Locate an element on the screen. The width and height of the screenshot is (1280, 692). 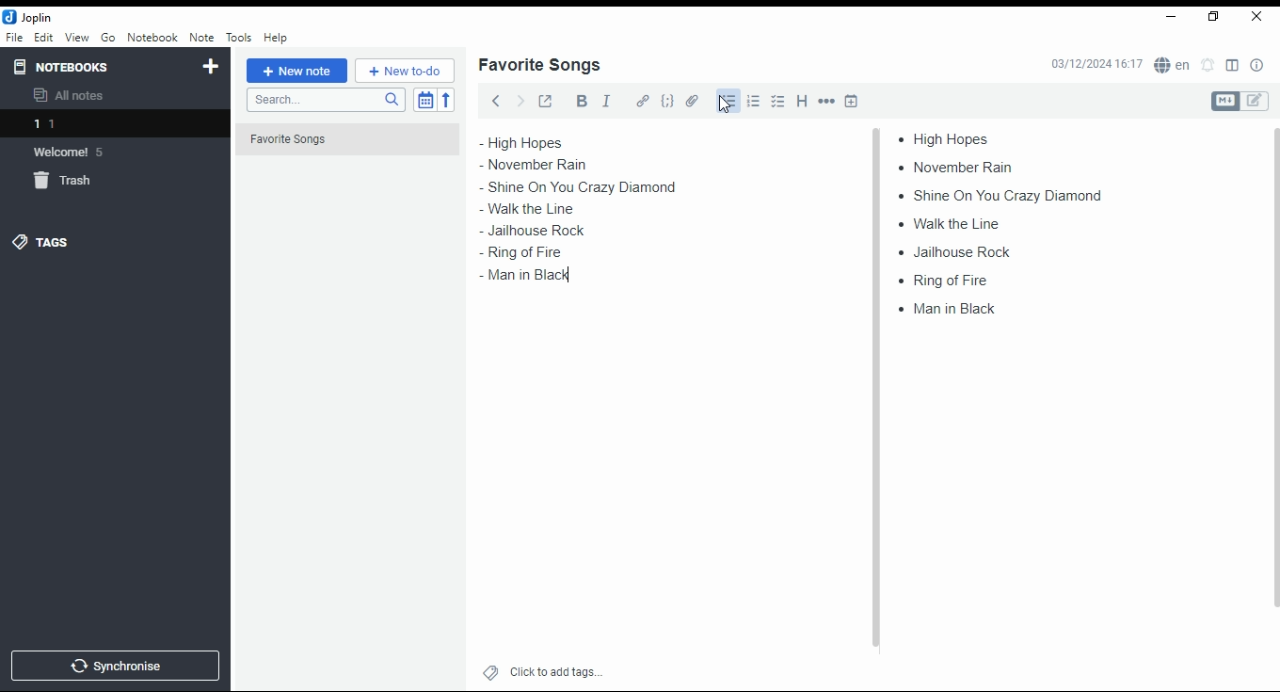
walk ta line is located at coordinates (520, 210).